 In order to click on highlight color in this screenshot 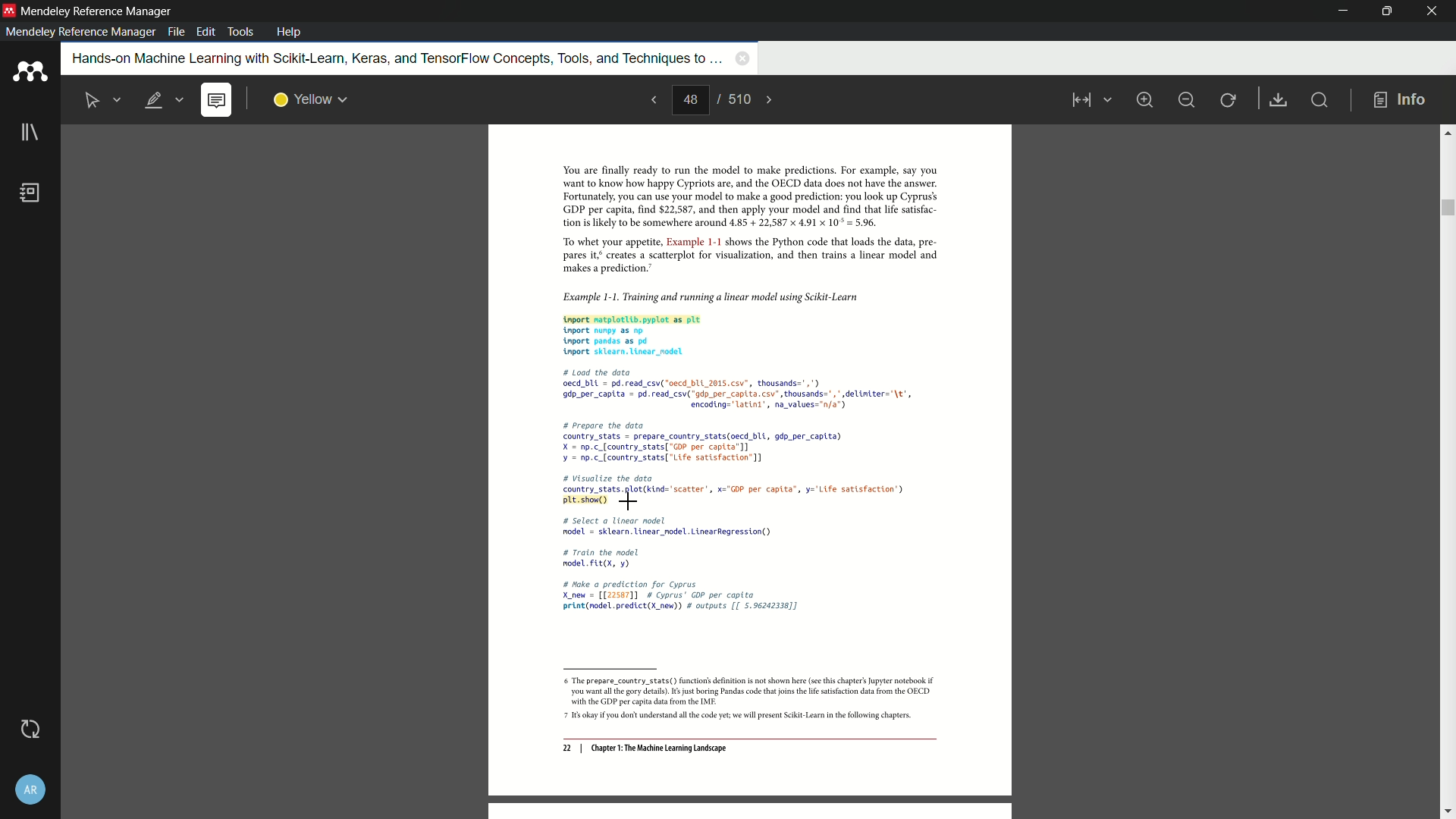, I will do `click(311, 100)`.